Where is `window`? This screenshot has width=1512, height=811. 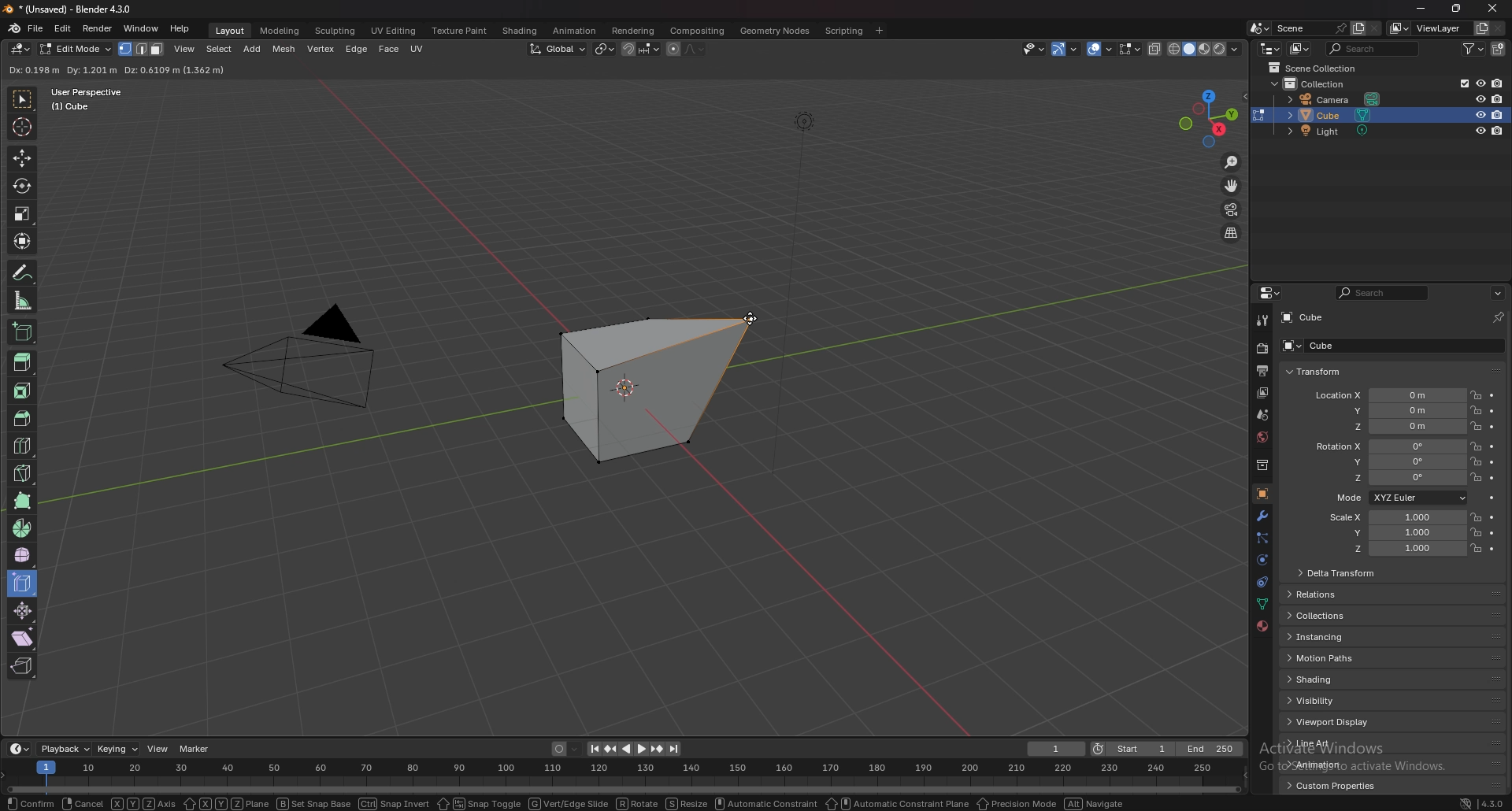 window is located at coordinates (141, 28).